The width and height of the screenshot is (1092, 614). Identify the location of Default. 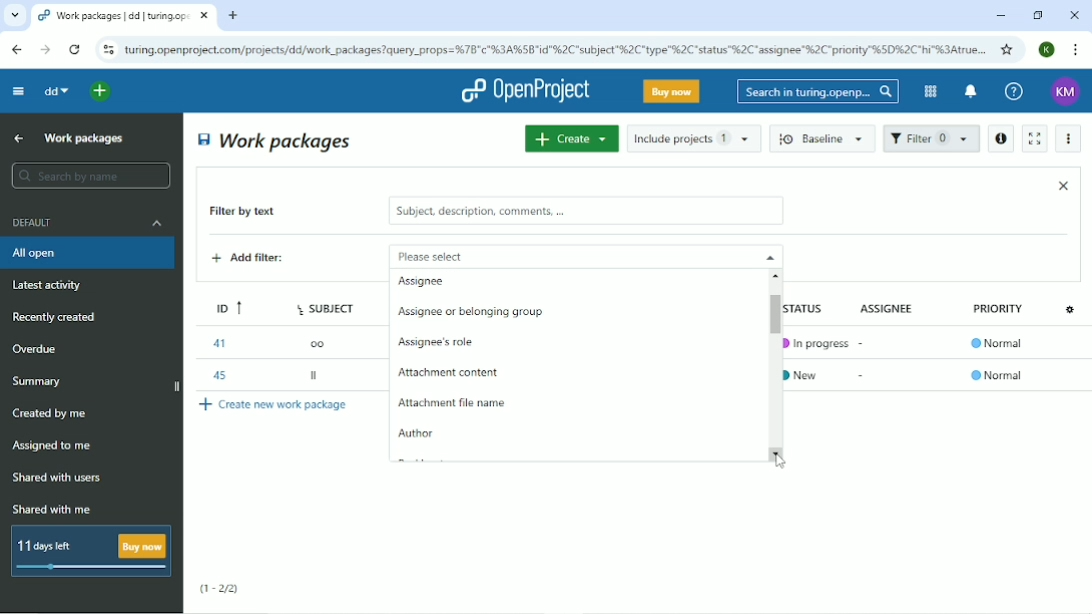
(89, 222).